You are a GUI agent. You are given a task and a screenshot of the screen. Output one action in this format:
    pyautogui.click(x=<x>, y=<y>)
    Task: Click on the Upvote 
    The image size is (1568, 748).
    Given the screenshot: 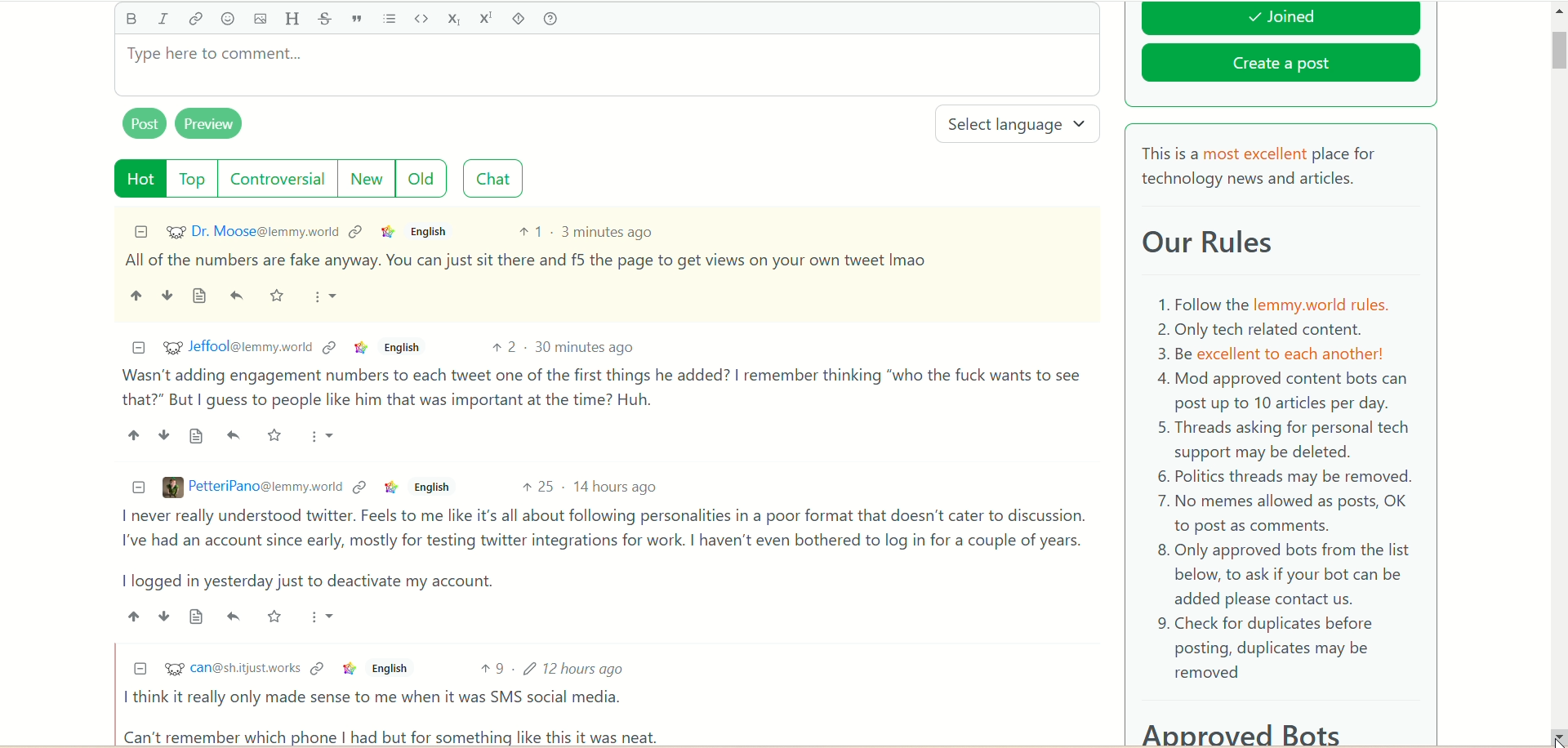 What is the action you would take?
    pyautogui.click(x=132, y=434)
    